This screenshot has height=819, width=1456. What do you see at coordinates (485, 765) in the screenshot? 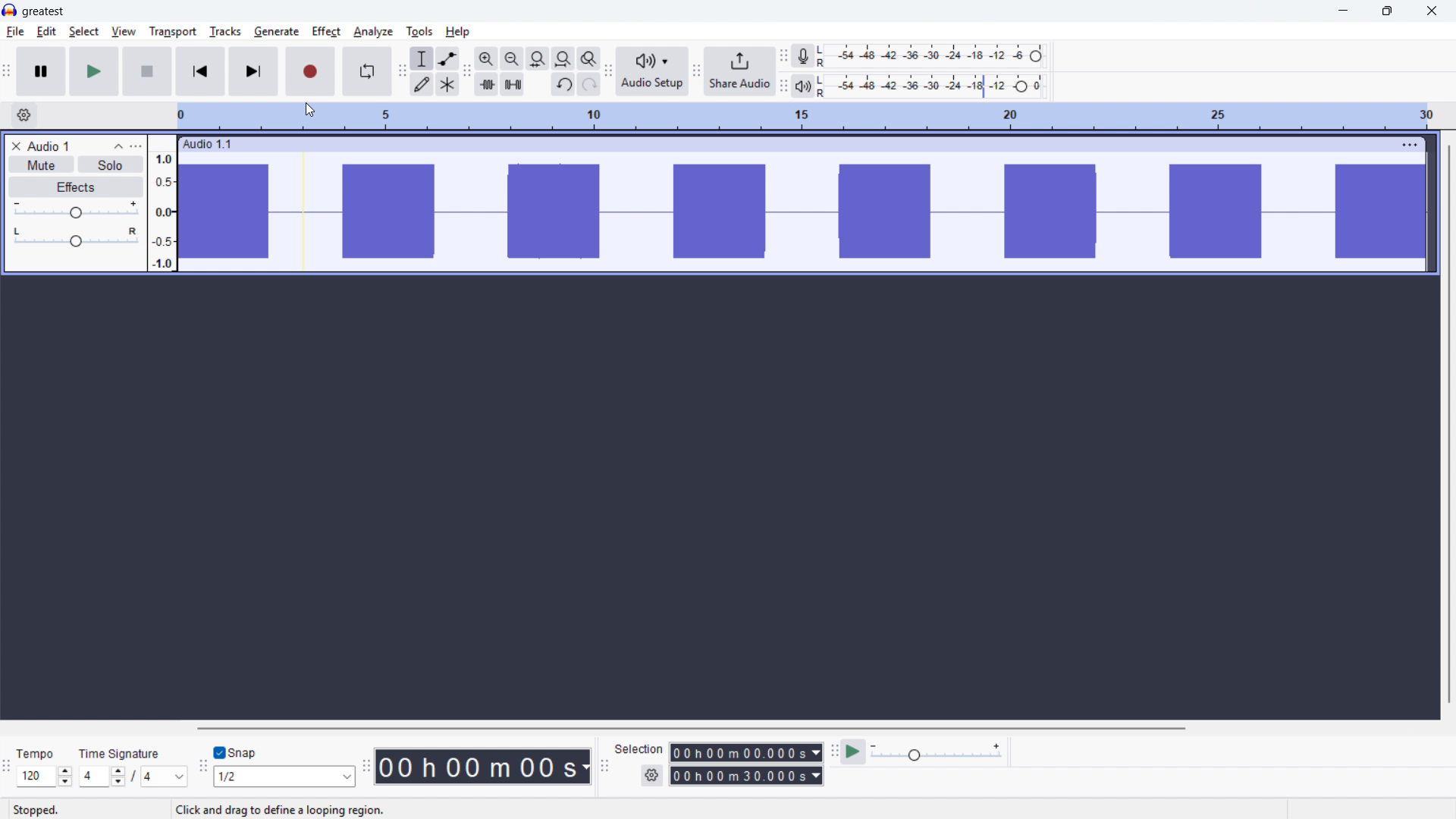
I see `Timestamp ` at bounding box center [485, 765].